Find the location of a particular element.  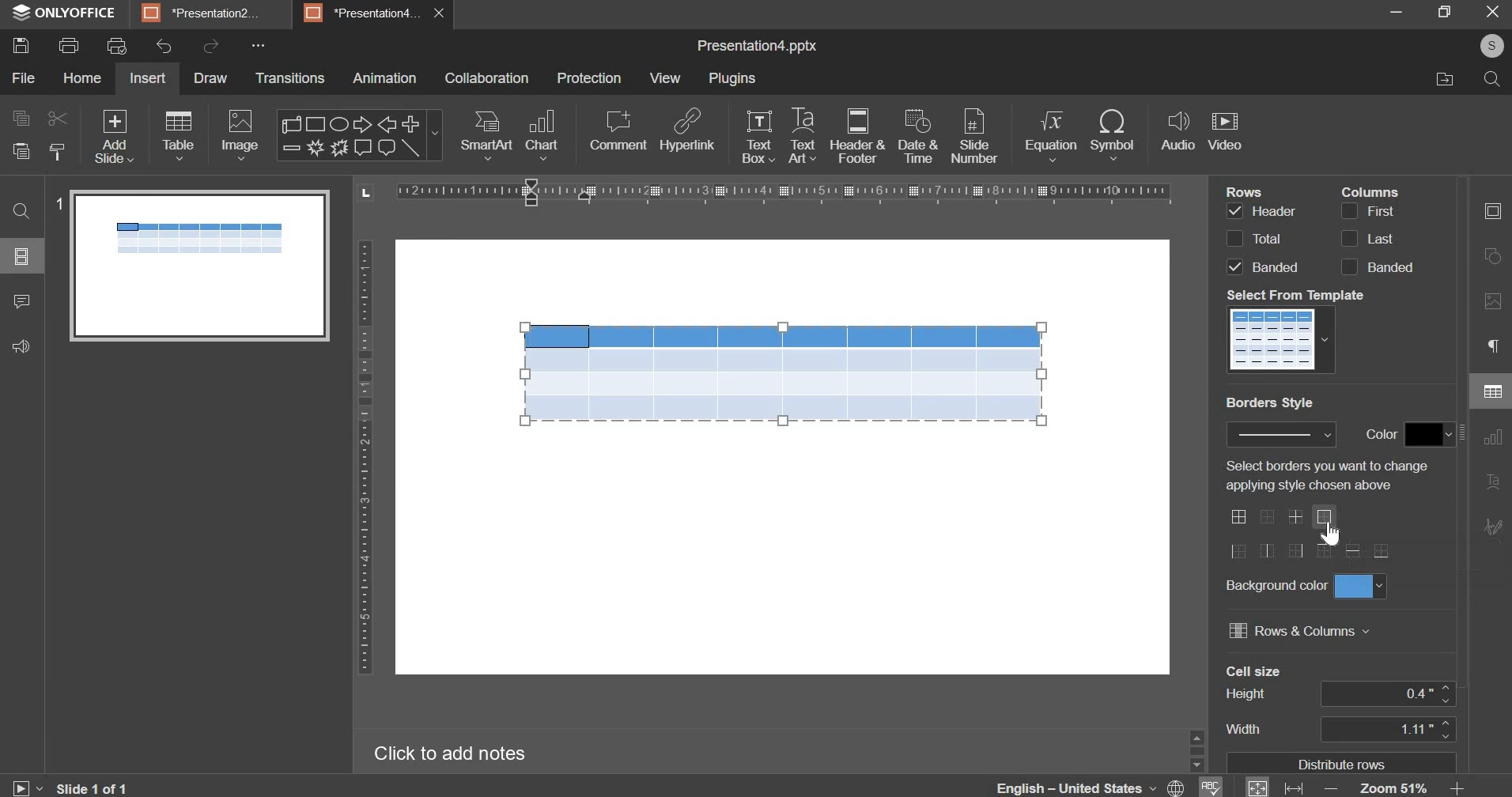

zoom 51% is located at coordinates (1394, 788).